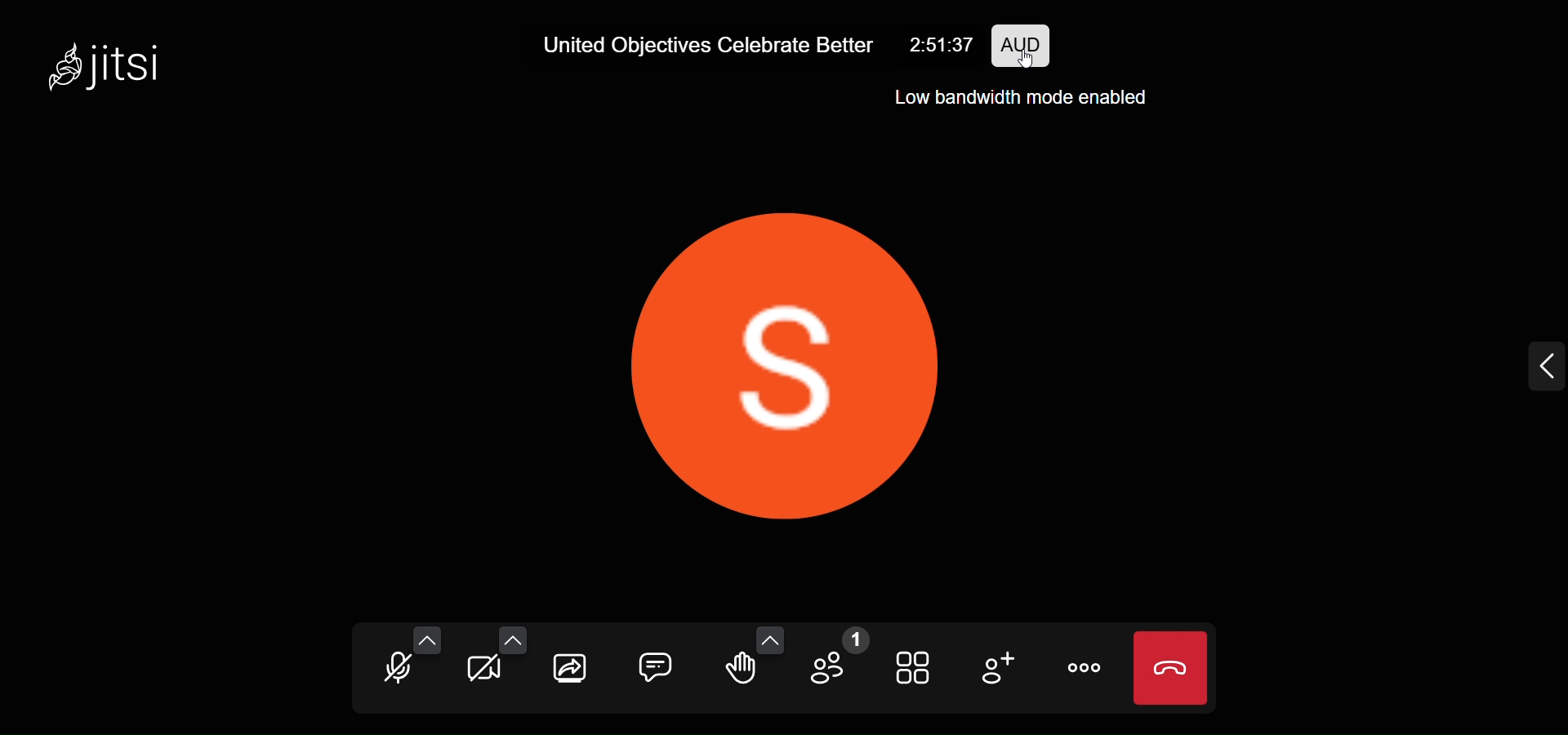 Image resolution: width=1568 pixels, height=735 pixels. I want to click on invite people, so click(1003, 666).